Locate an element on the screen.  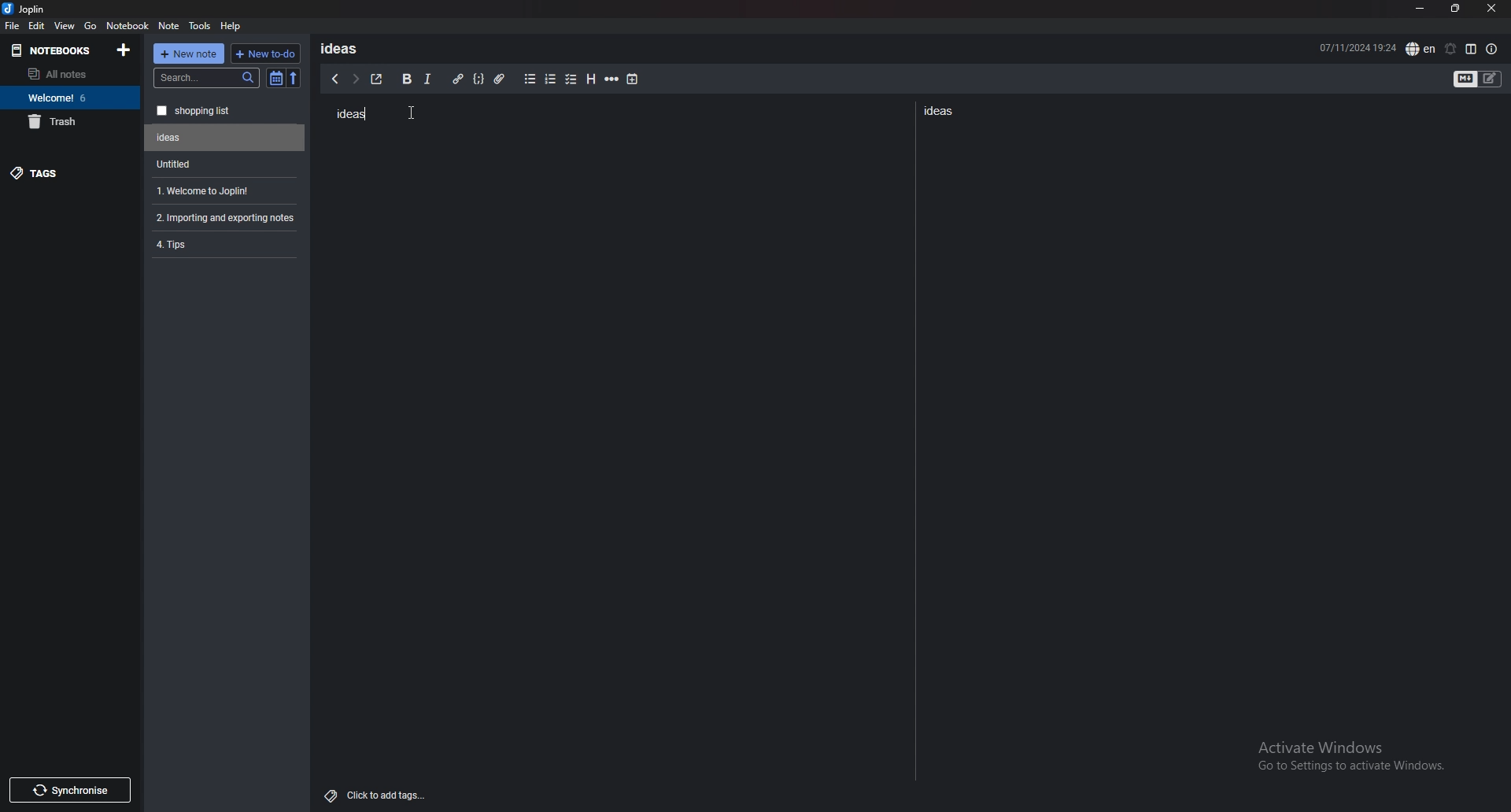
all notes is located at coordinates (67, 74).